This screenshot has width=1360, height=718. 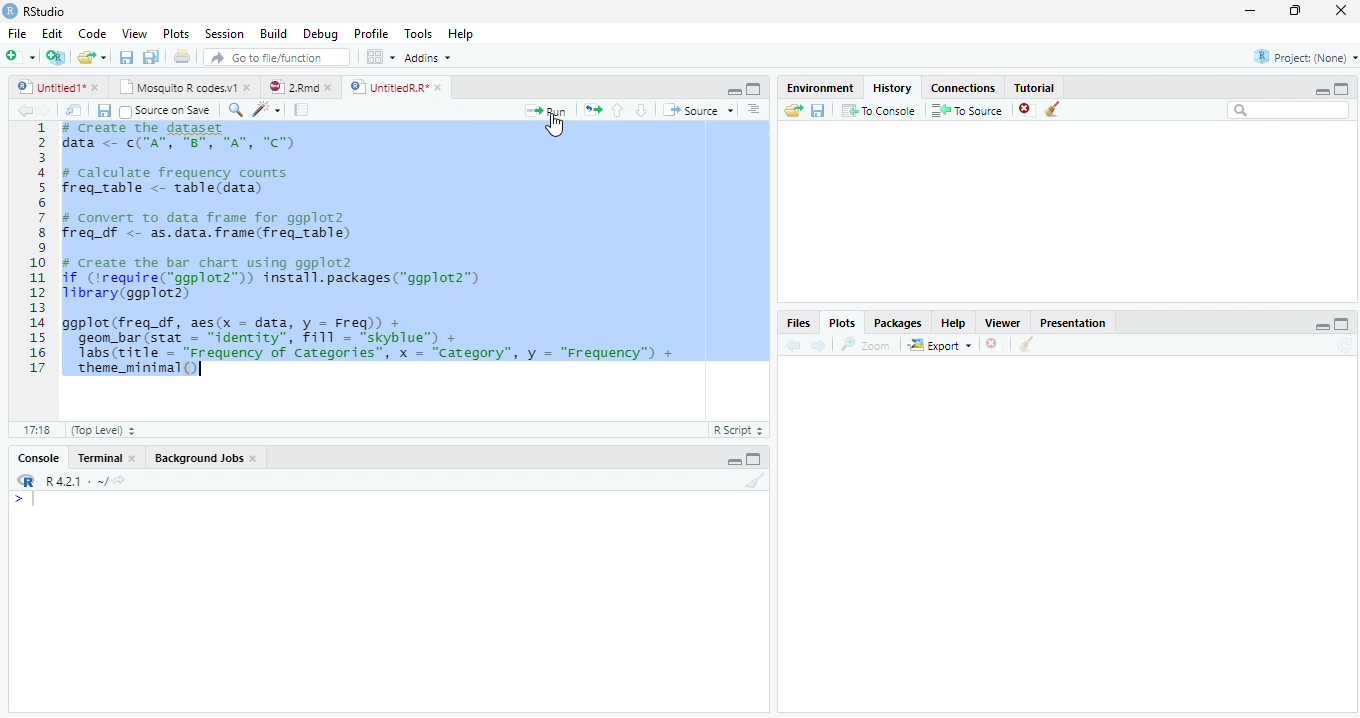 What do you see at coordinates (1027, 110) in the screenshot?
I see `Delete ` at bounding box center [1027, 110].